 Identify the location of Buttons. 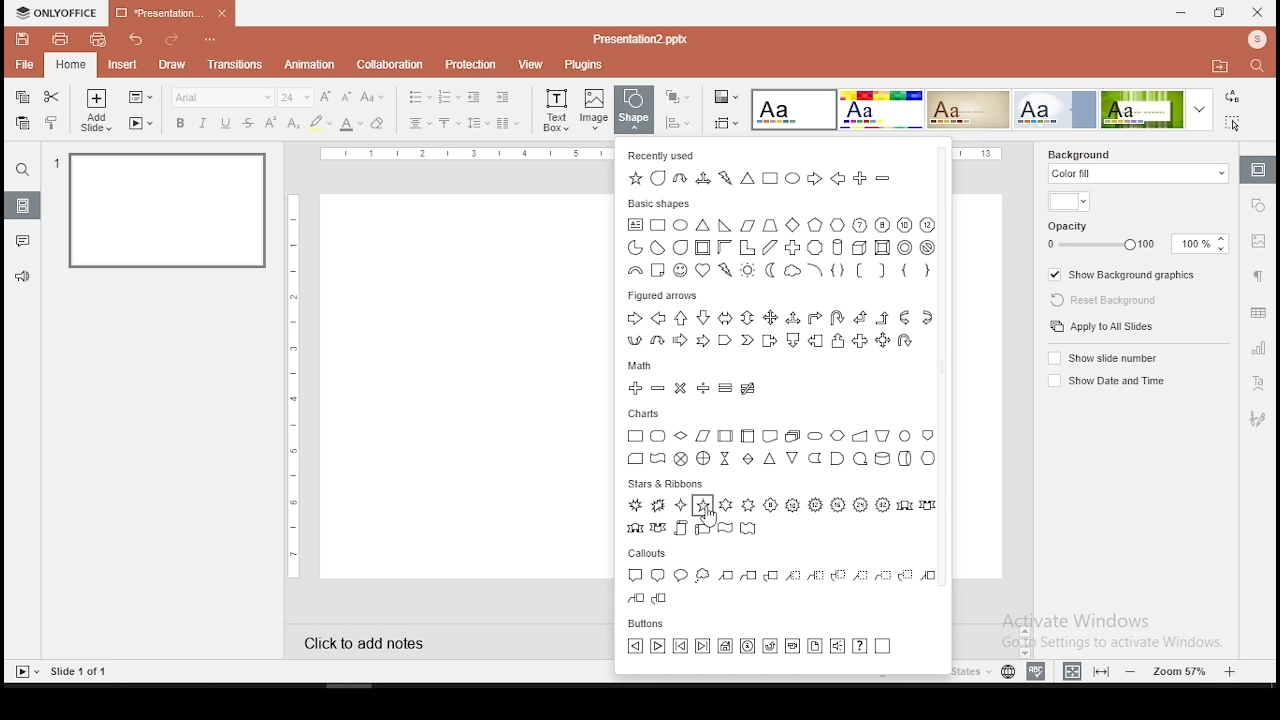
(760, 648).